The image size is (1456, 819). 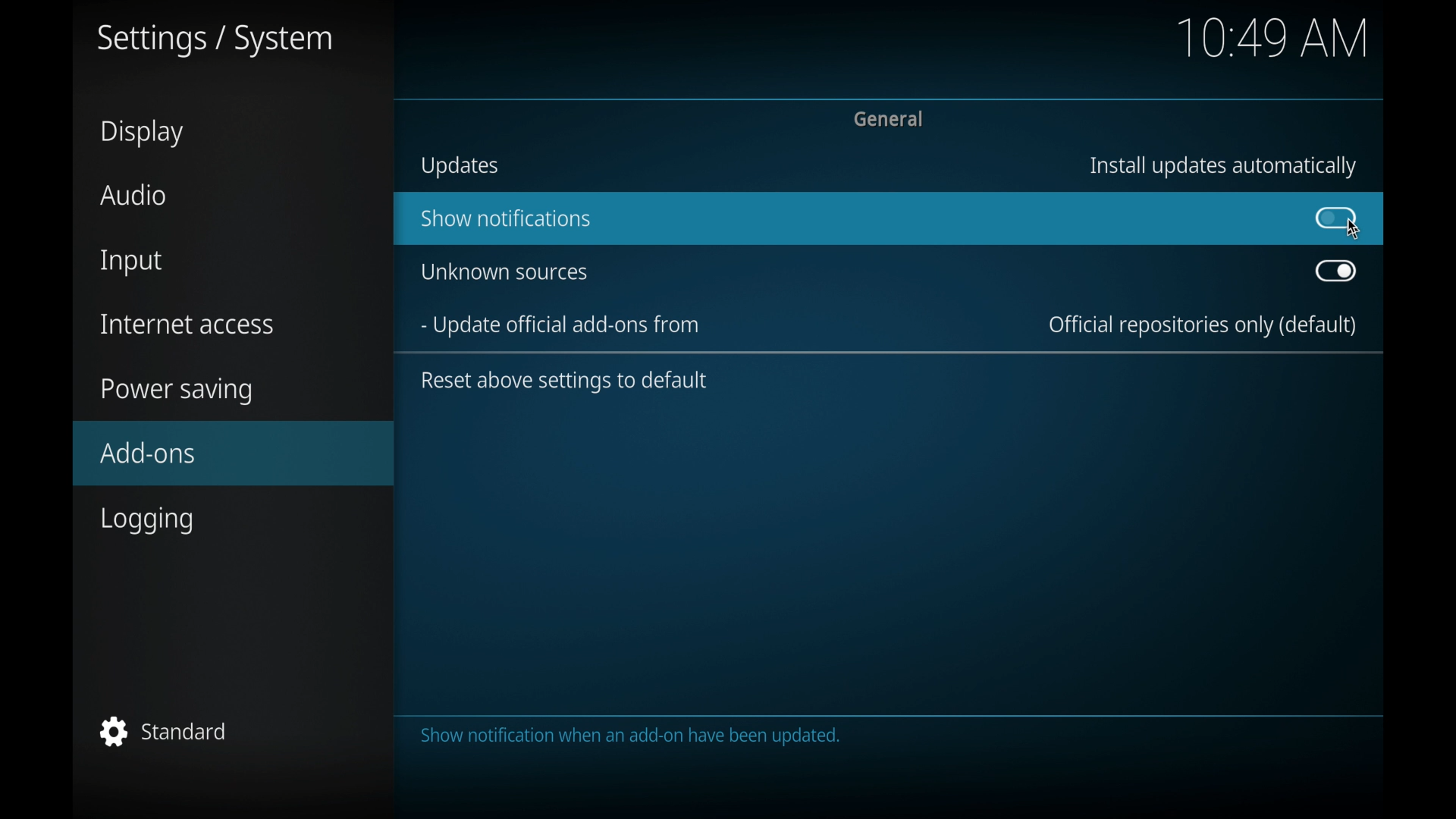 I want to click on audio, so click(x=133, y=196).